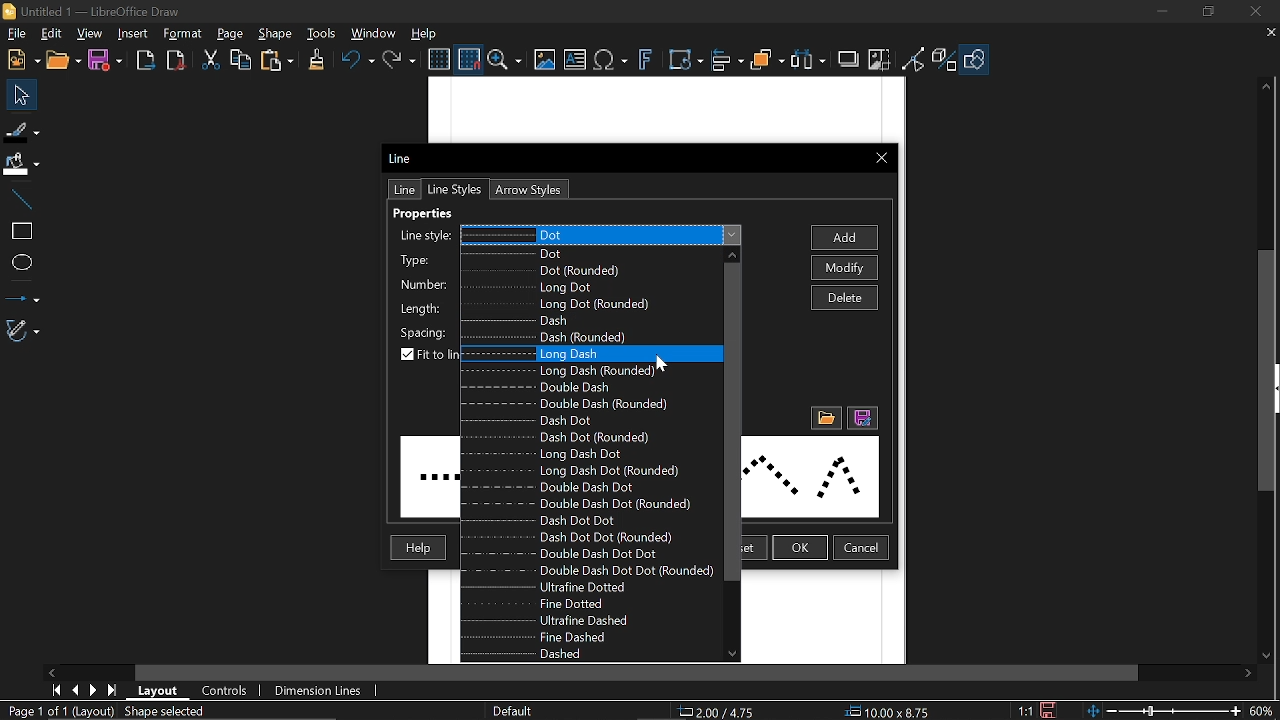 Image resolution: width=1280 pixels, height=720 pixels. Describe the element at coordinates (425, 33) in the screenshot. I see `Help` at that location.